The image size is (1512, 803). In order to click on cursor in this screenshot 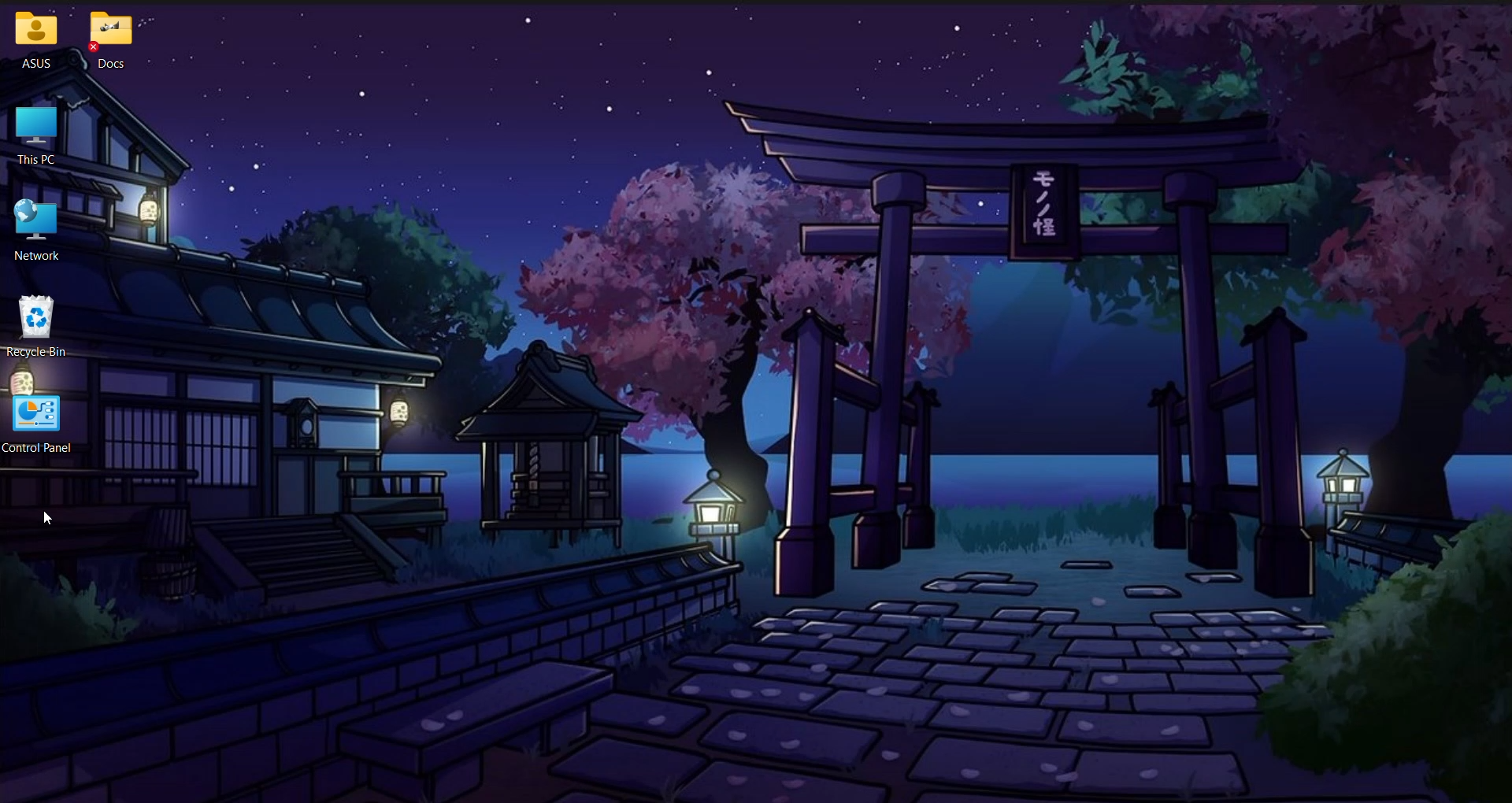, I will do `click(48, 520)`.